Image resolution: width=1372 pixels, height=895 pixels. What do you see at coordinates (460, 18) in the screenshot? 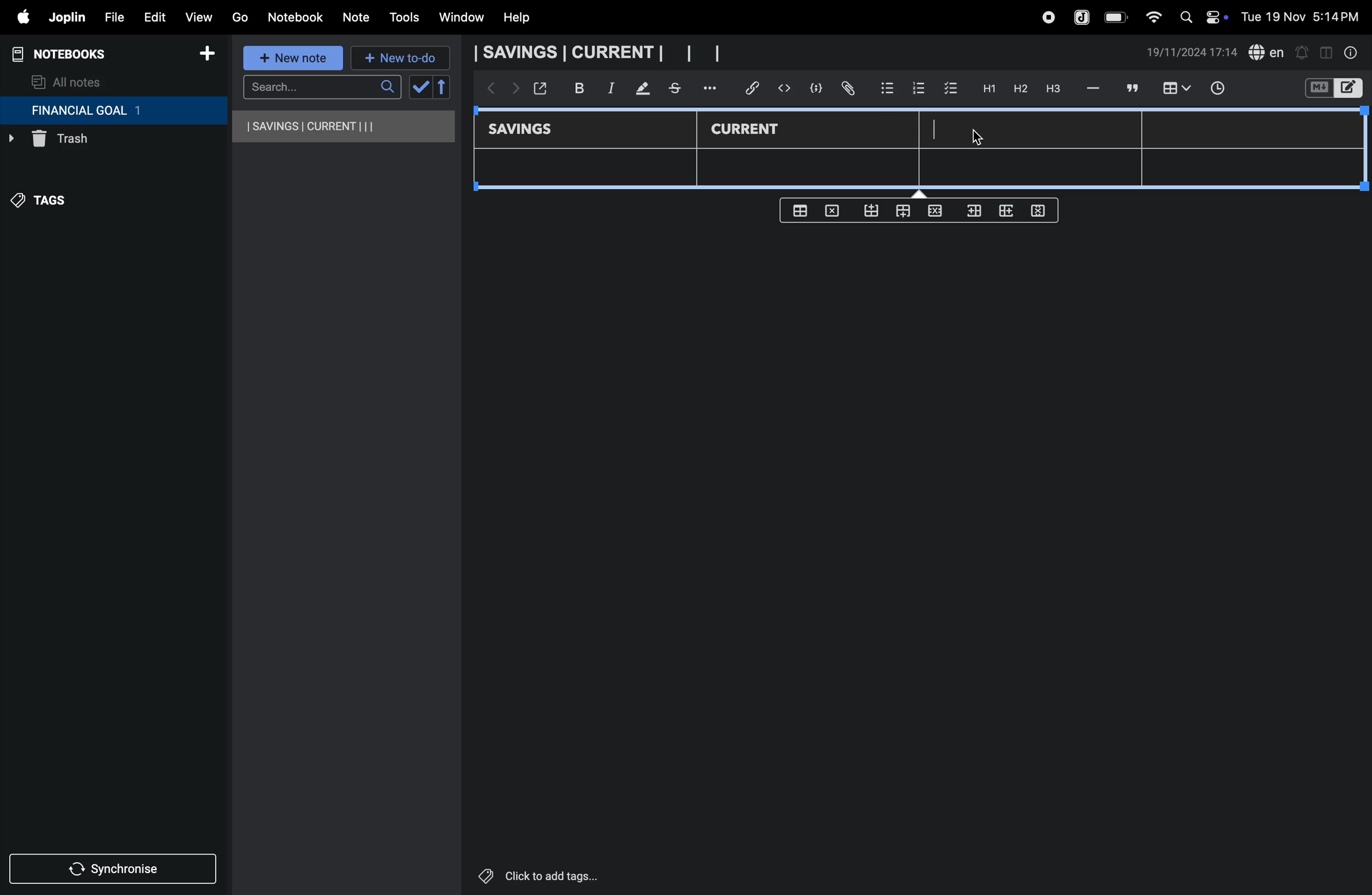
I see `window` at bounding box center [460, 18].